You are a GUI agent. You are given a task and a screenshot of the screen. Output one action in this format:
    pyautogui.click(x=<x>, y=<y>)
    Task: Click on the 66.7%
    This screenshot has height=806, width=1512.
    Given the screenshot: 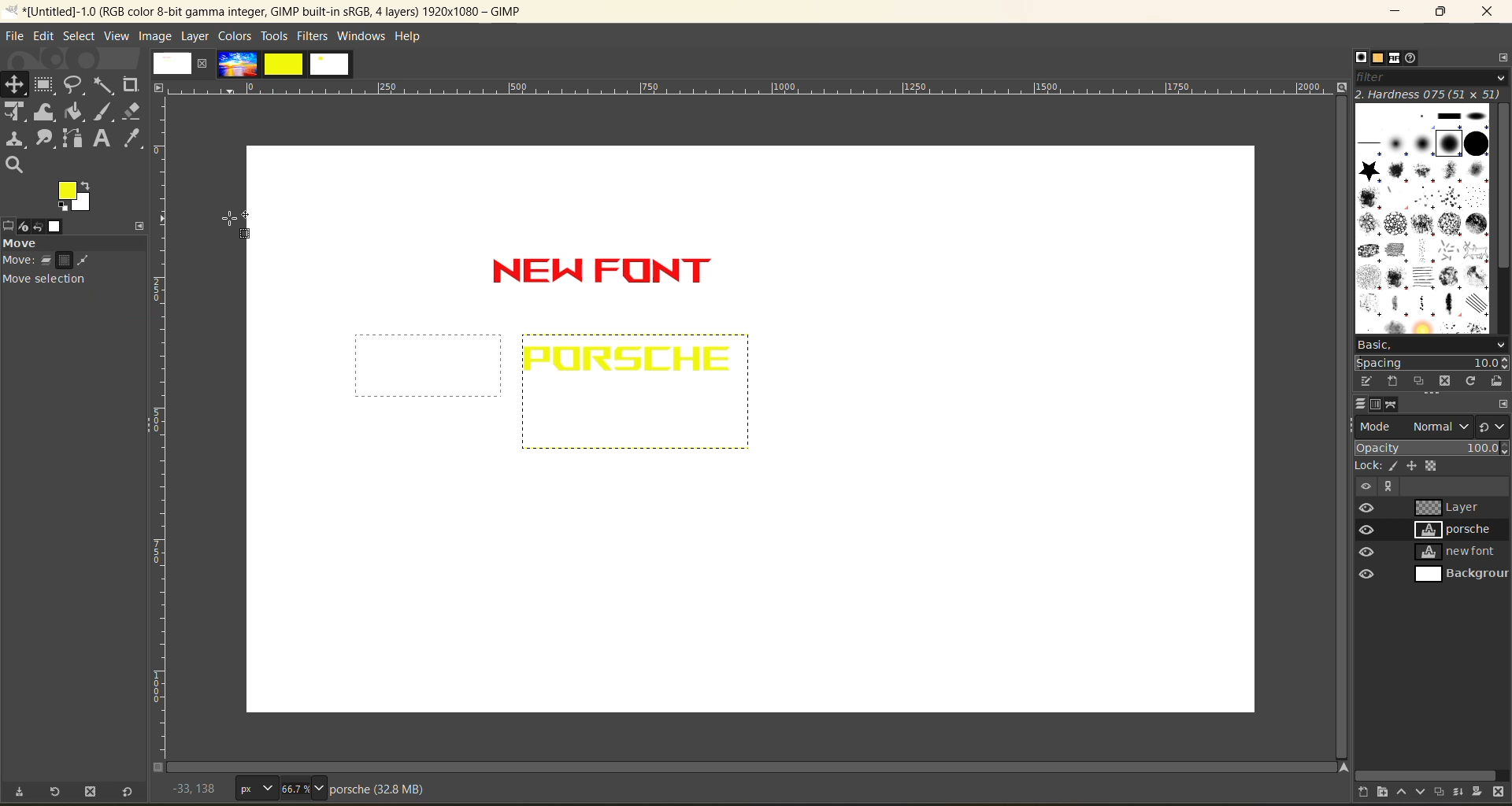 What is the action you would take?
    pyautogui.click(x=303, y=789)
    